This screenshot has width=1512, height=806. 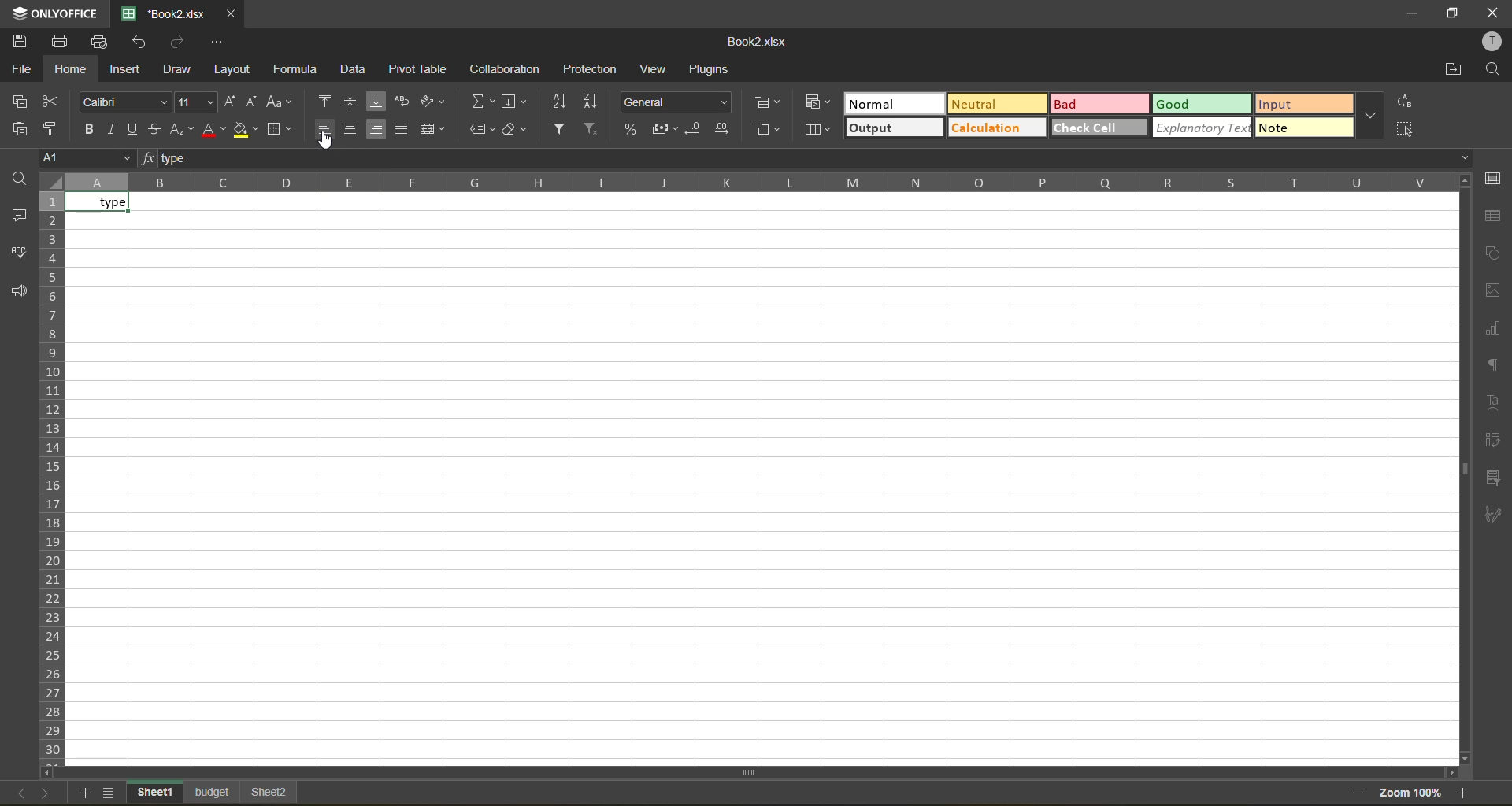 What do you see at coordinates (695, 128) in the screenshot?
I see `decrease decimal` at bounding box center [695, 128].